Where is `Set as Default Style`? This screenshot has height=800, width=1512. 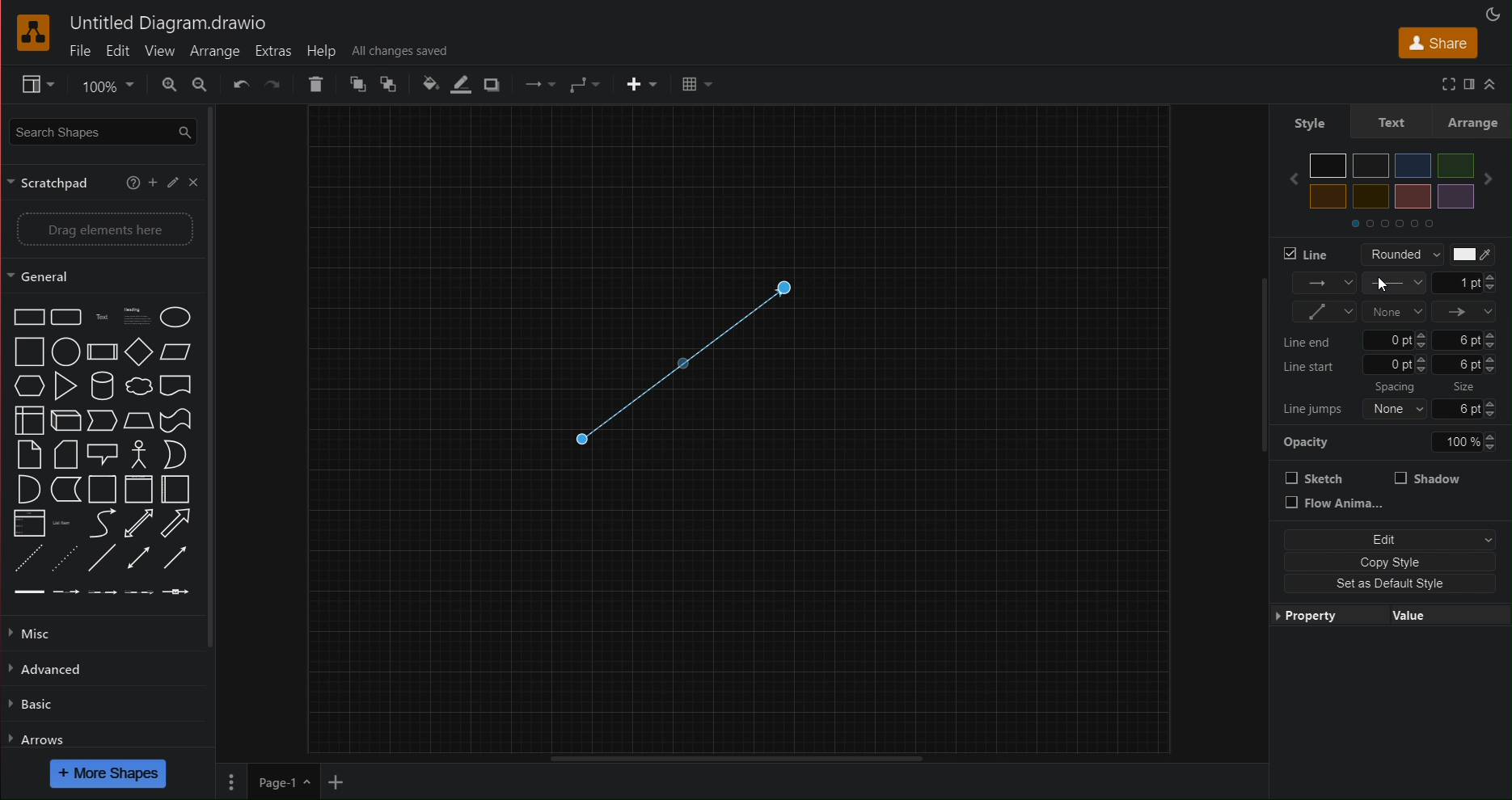
Set as Default Style is located at coordinates (1379, 584).